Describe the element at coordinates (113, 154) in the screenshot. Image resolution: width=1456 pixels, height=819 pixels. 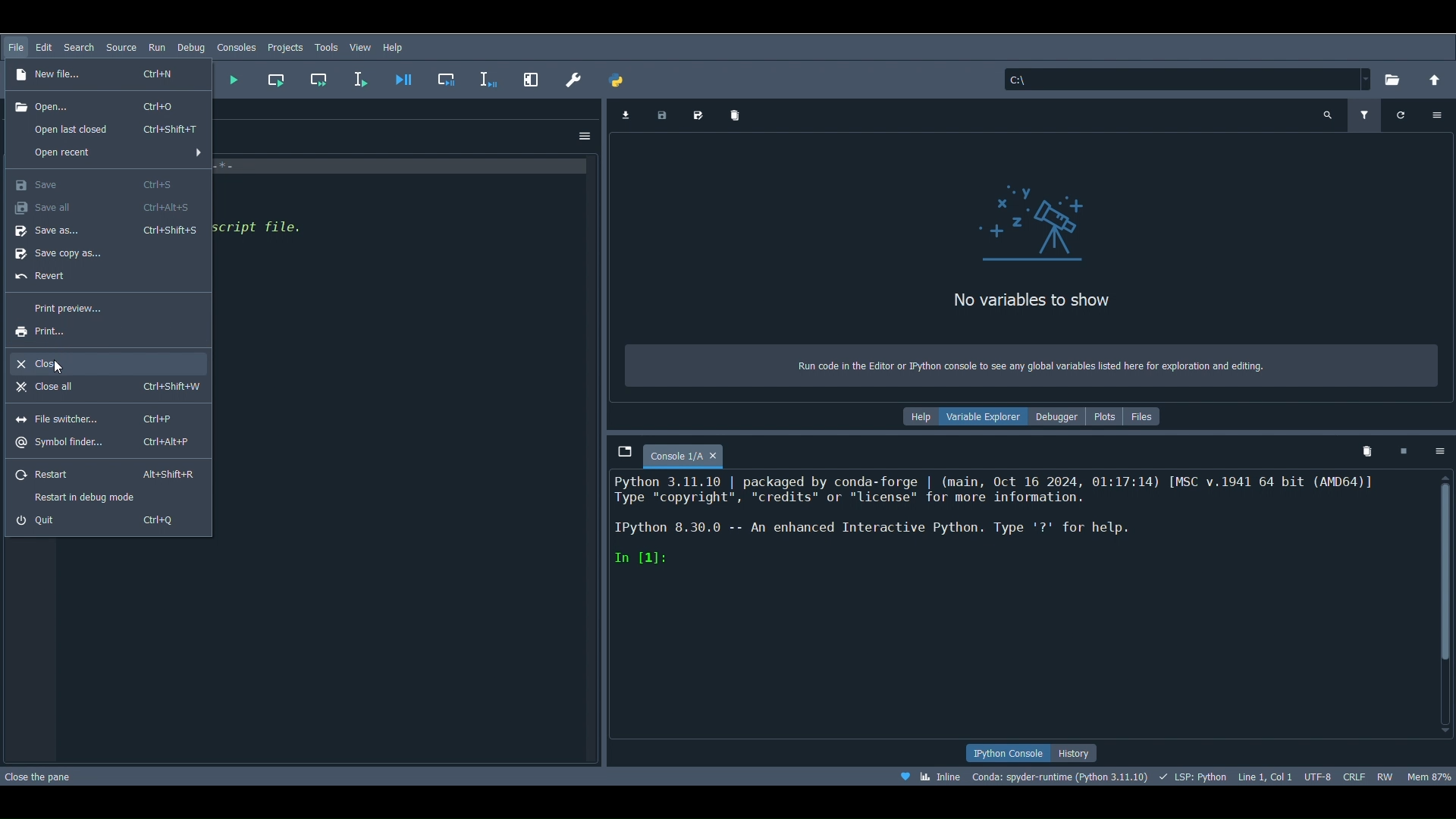
I see `Open recent` at that location.